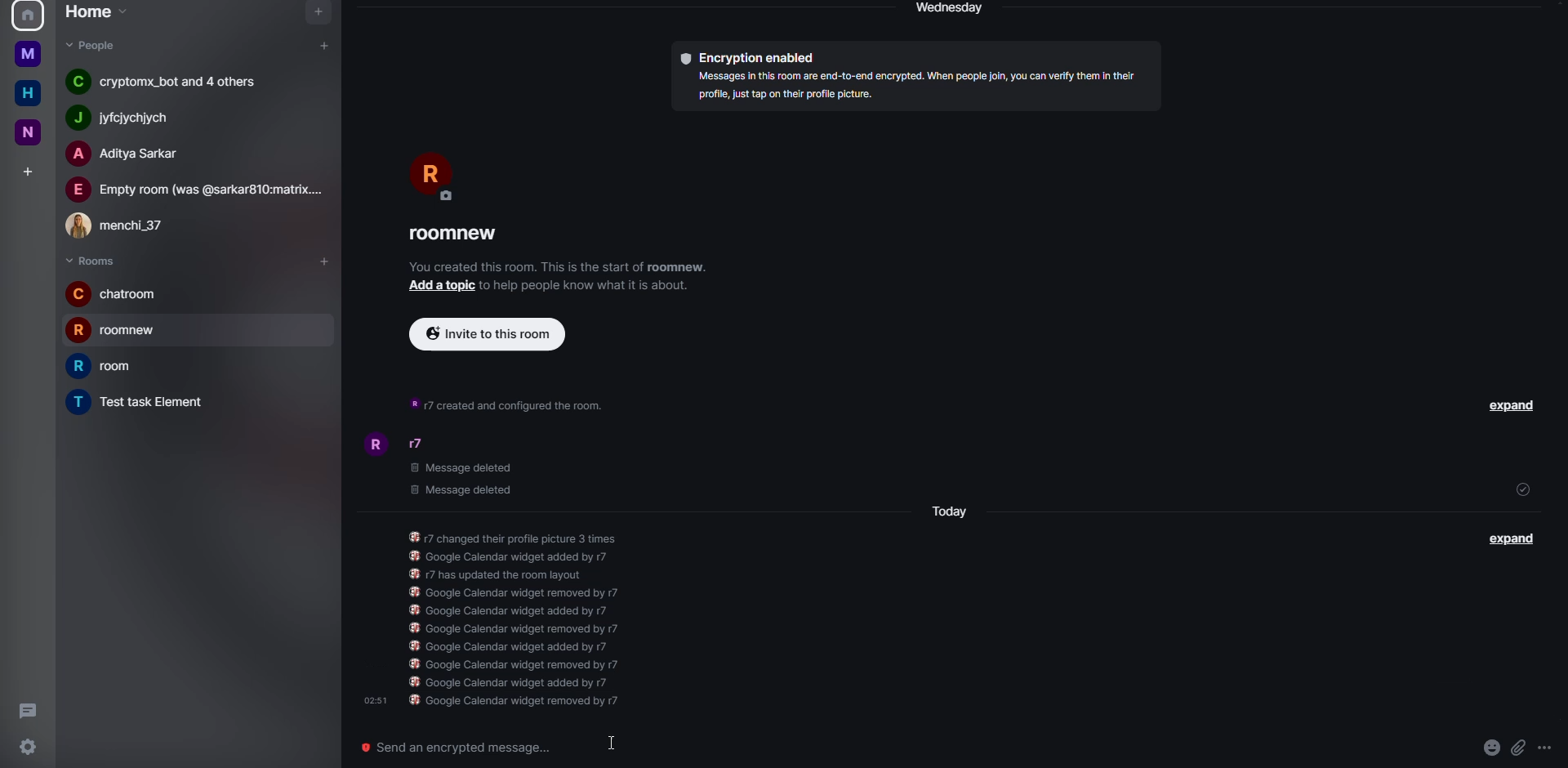 The image size is (1568, 768). What do you see at coordinates (109, 368) in the screenshot?
I see `room` at bounding box center [109, 368].